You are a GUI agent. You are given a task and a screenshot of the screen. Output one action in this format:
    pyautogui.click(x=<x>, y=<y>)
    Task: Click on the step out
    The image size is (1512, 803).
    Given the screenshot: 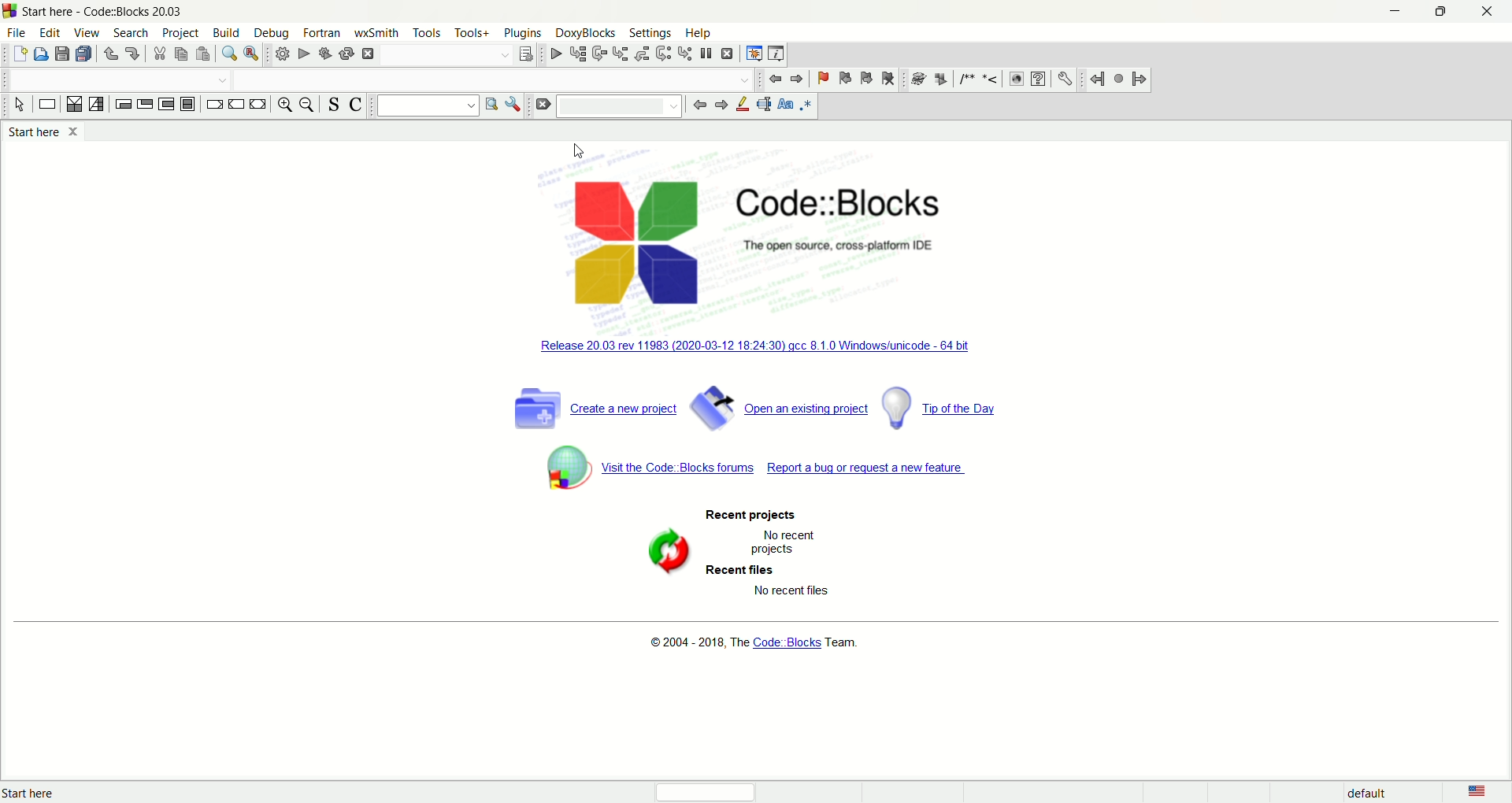 What is the action you would take?
    pyautogui.click(x=643, y=54)
    